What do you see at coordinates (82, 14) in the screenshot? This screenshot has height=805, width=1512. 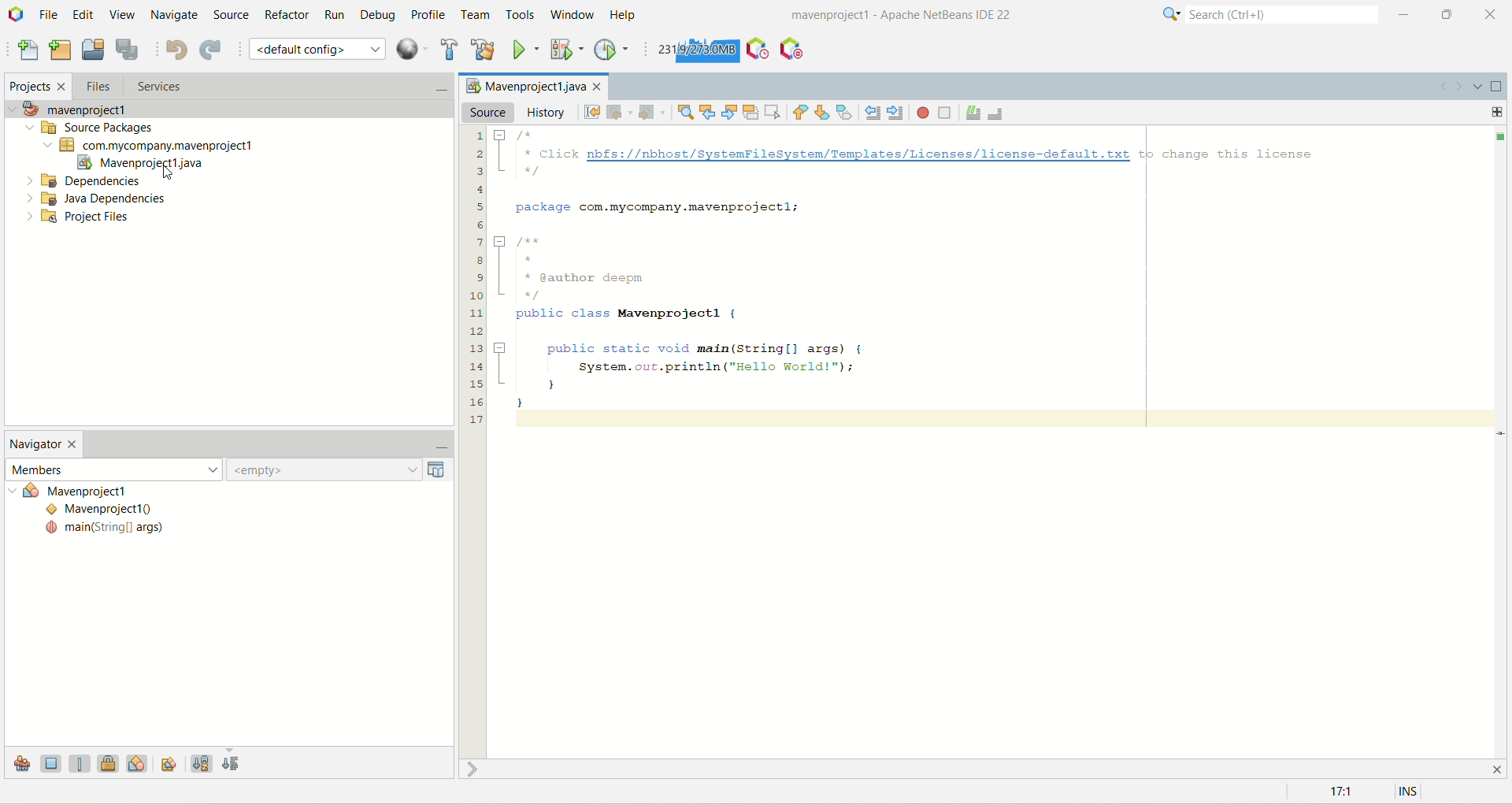 I see `edit` at bounding box center [82, 14].